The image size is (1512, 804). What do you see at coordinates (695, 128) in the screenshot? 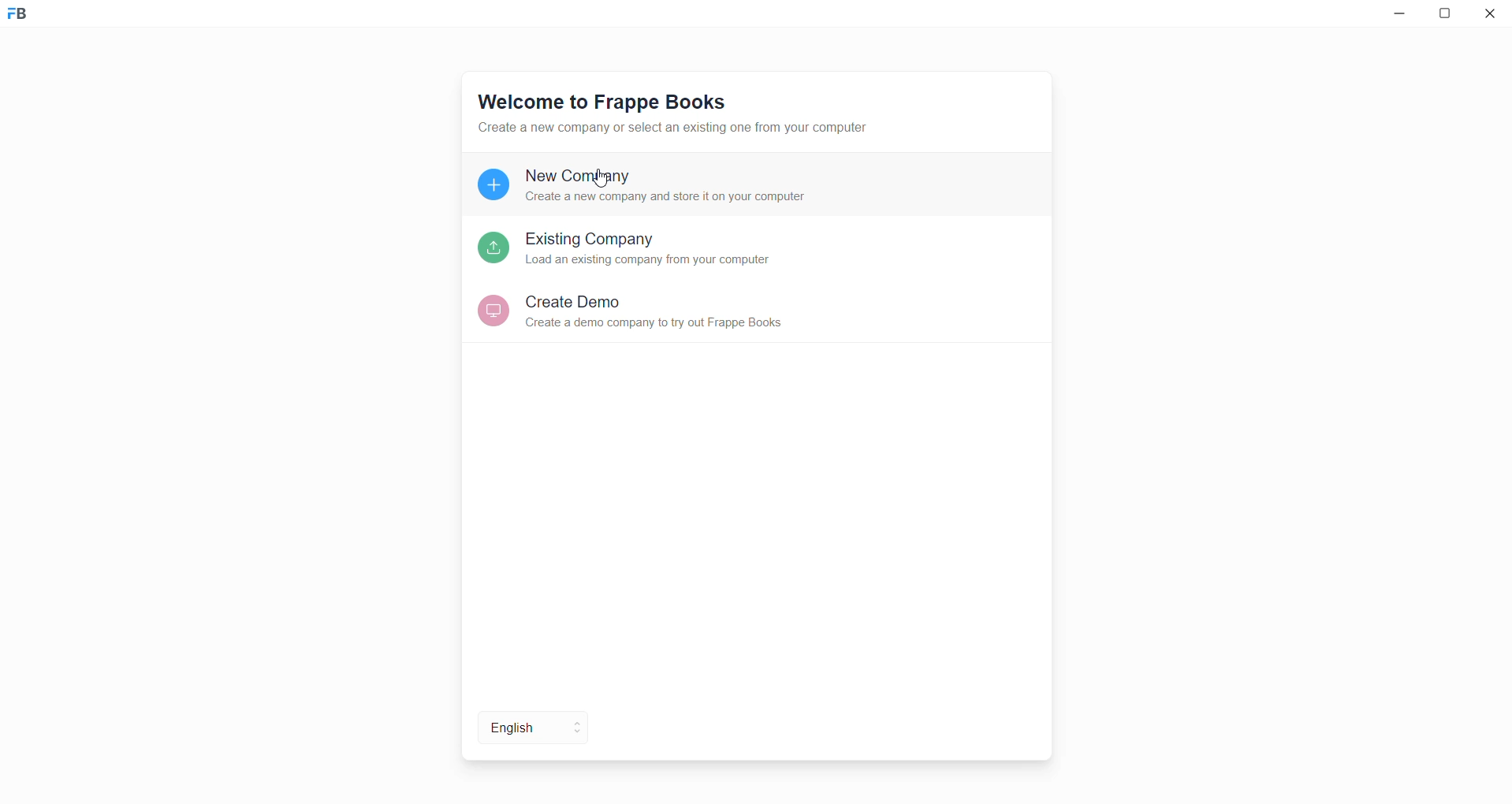
I see `Create a new company or select an existing one from your computer` at bounding box center [695, 128].